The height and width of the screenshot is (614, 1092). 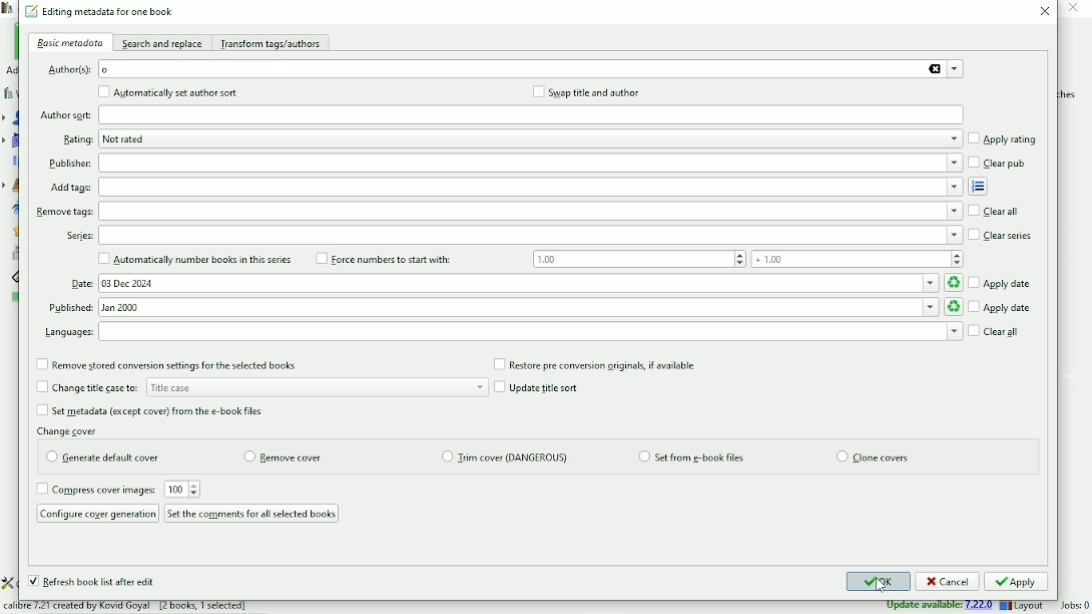 What do you see at coordinates (97, 513) in the screenshot?
I see `Configure cover generation` at bounding box center [97, 513].